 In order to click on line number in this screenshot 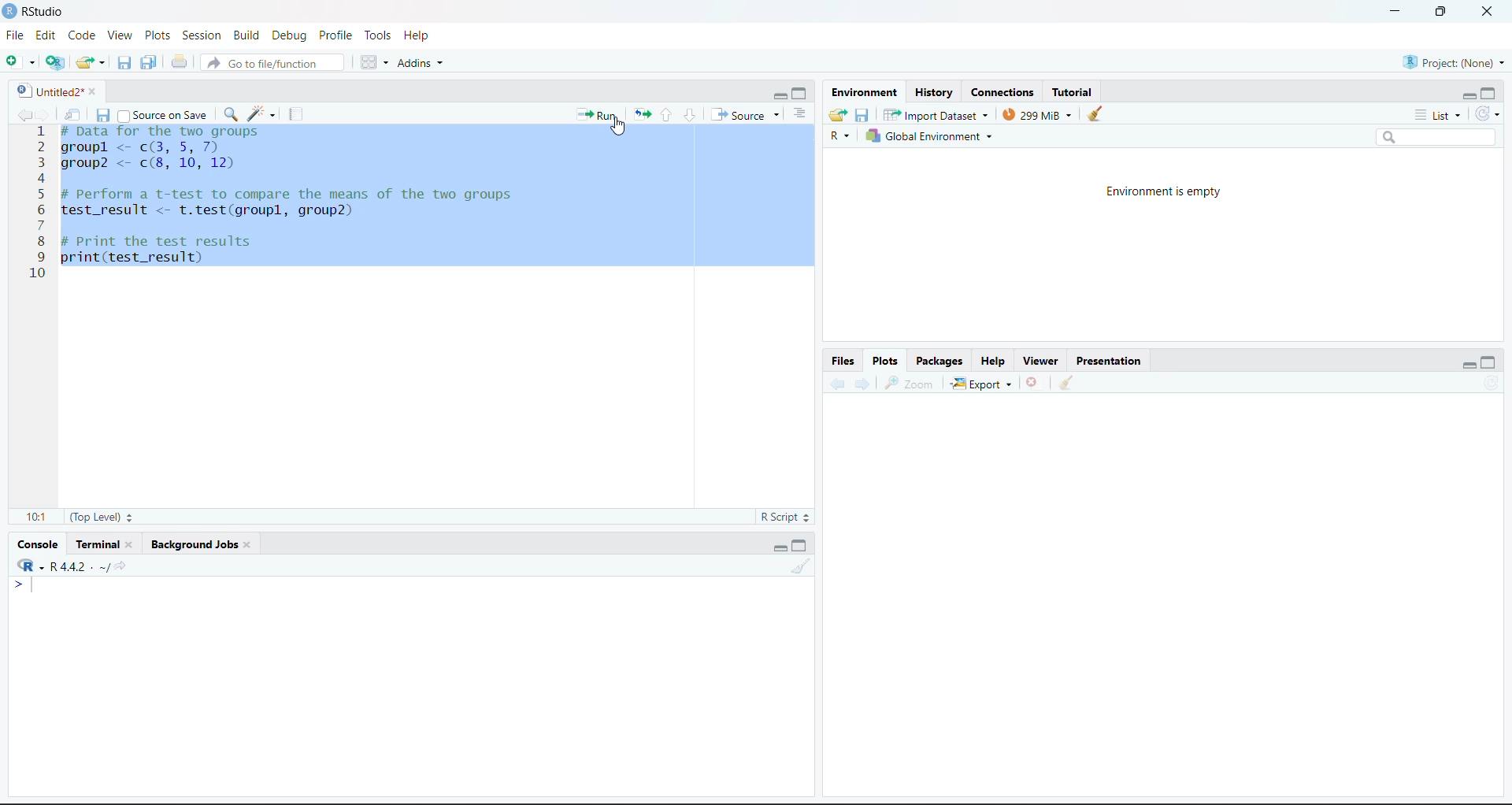, I will do `click(41, 203)`.